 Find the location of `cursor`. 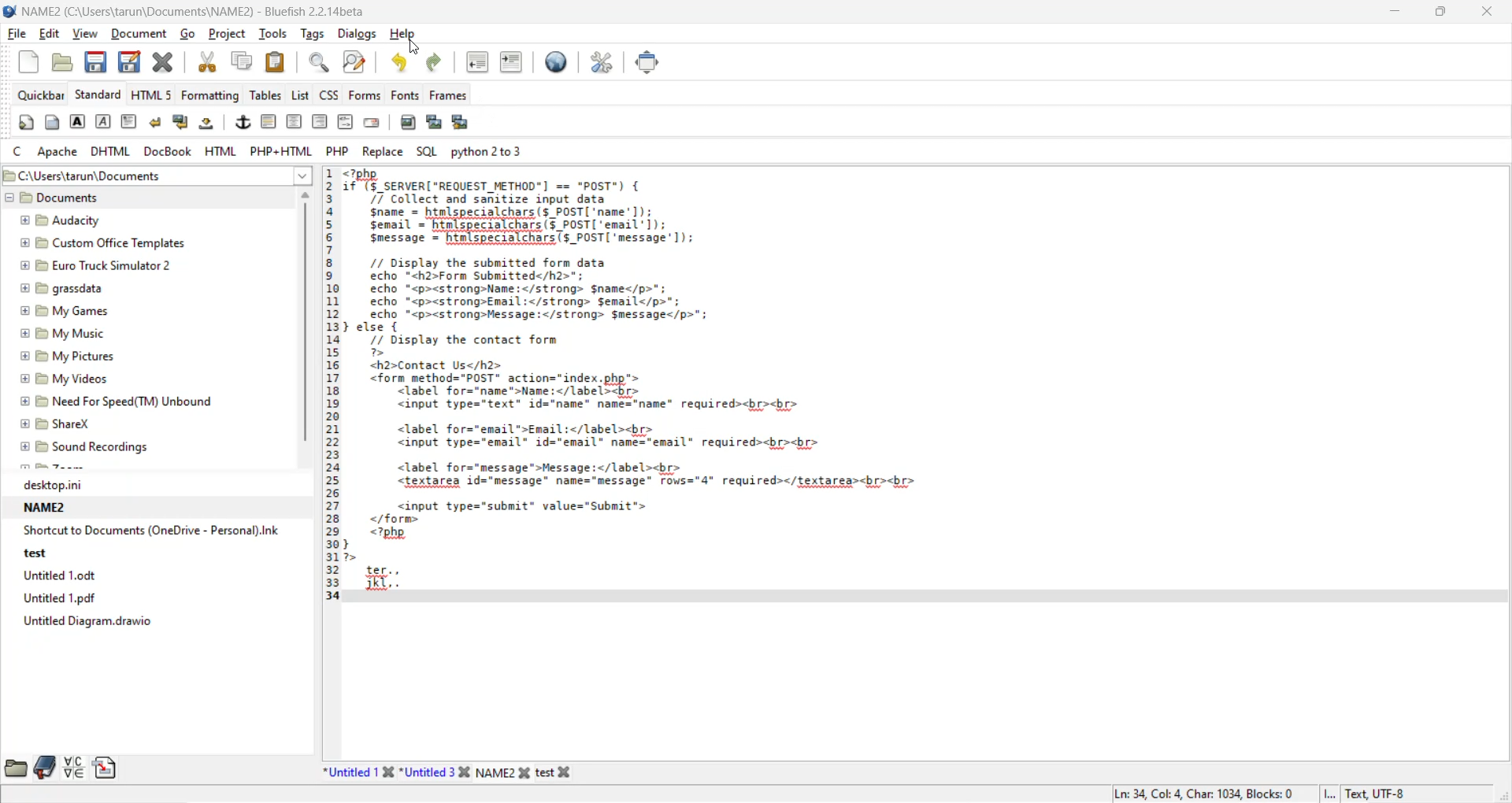

cursor is located at coordinates (424, 49).